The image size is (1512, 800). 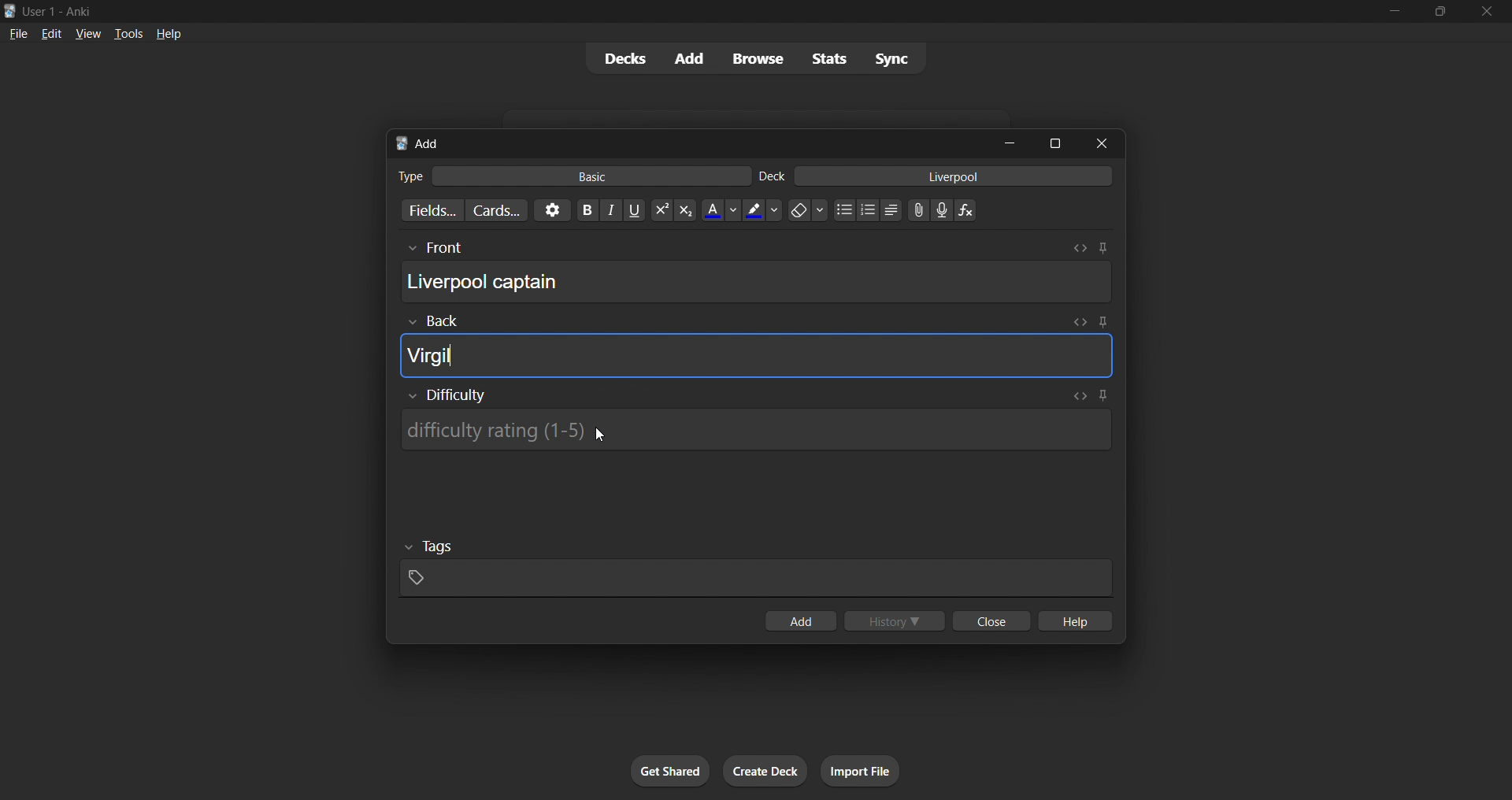 What do you see at coordinates (1010, 143) in the screenshot?
I see `minimize` at bounding box center [1010, 143].